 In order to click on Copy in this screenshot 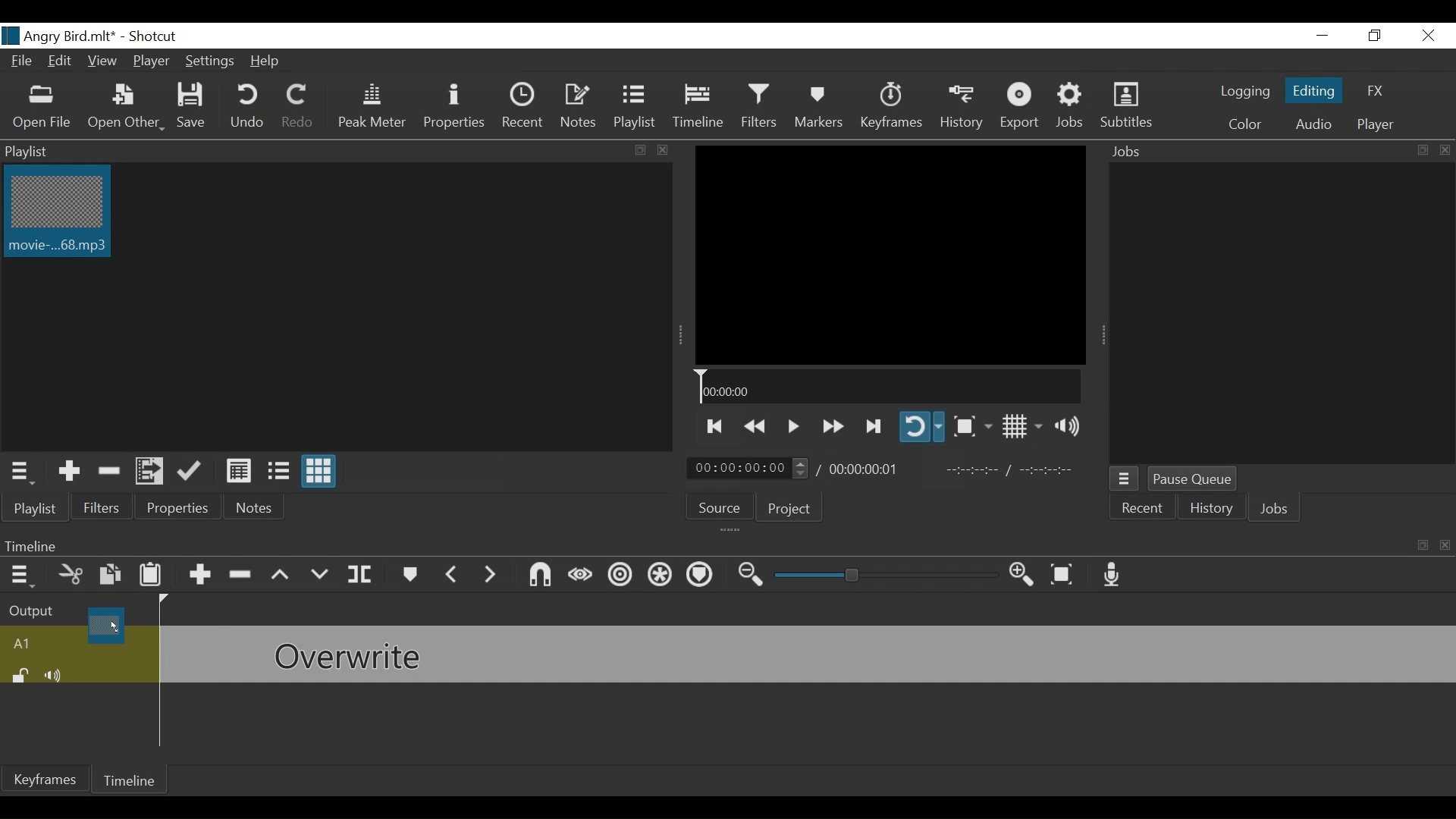, I will do `click(110, 574)`.